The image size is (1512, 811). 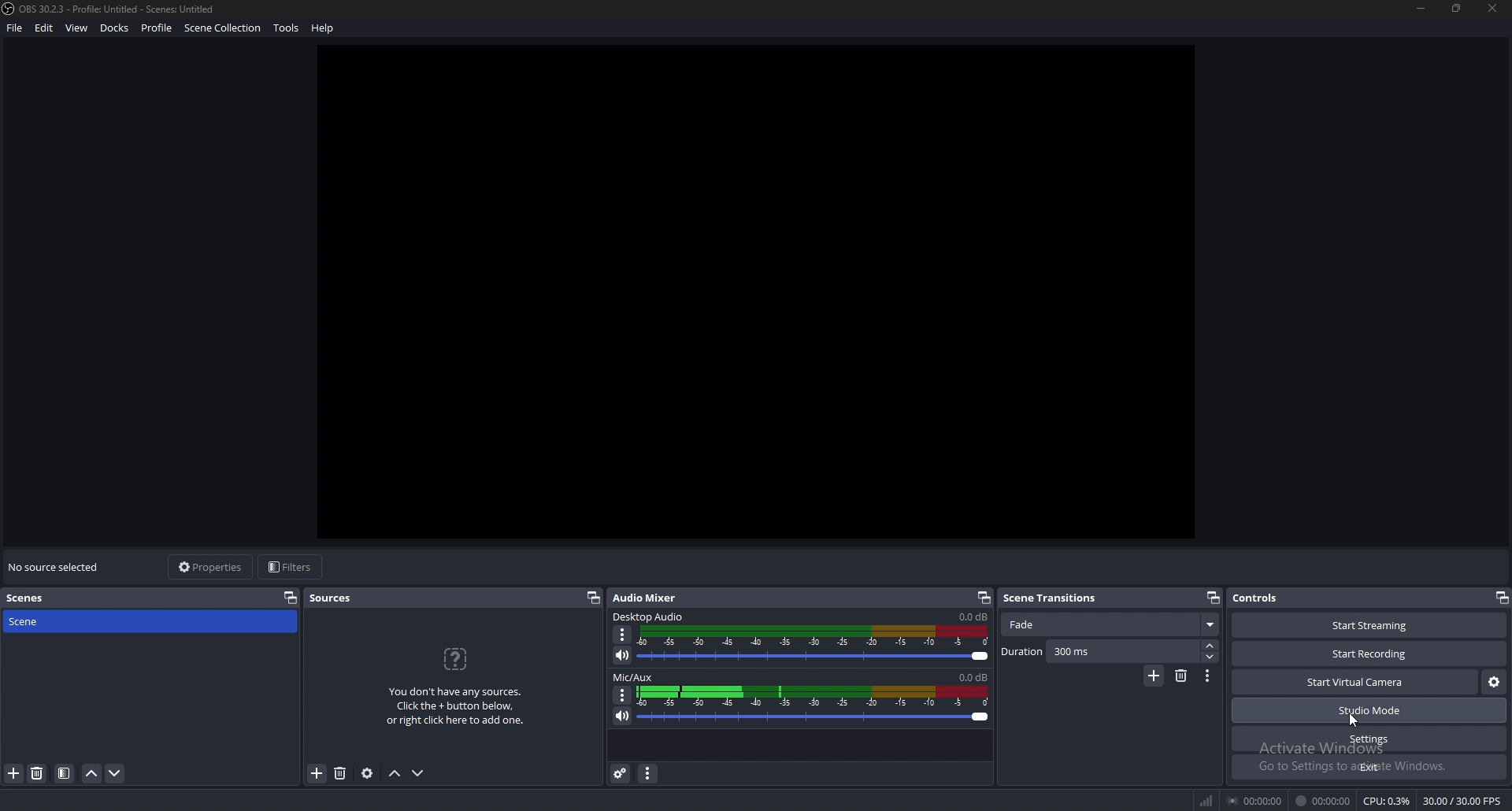 I want to click on Desktop audio, so click(x=972, y=617).